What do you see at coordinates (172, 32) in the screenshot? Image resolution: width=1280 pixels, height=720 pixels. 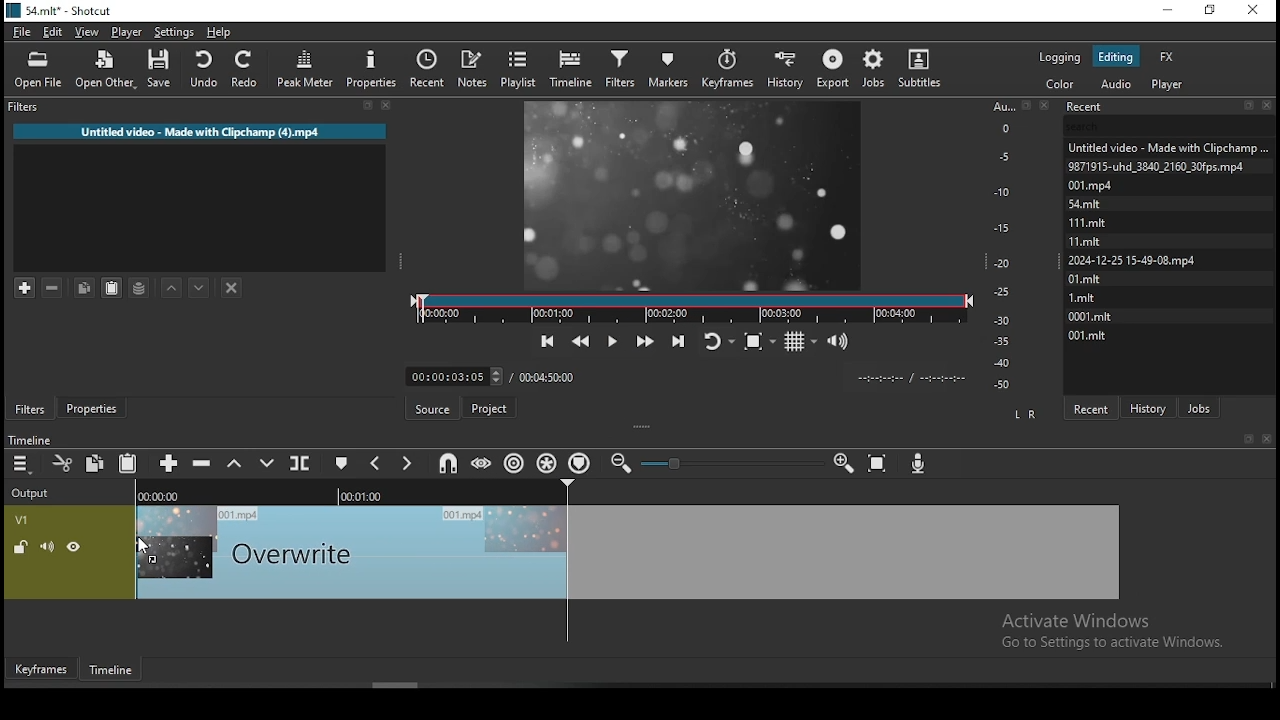 I see `settings` at bounding box center [172, 32].